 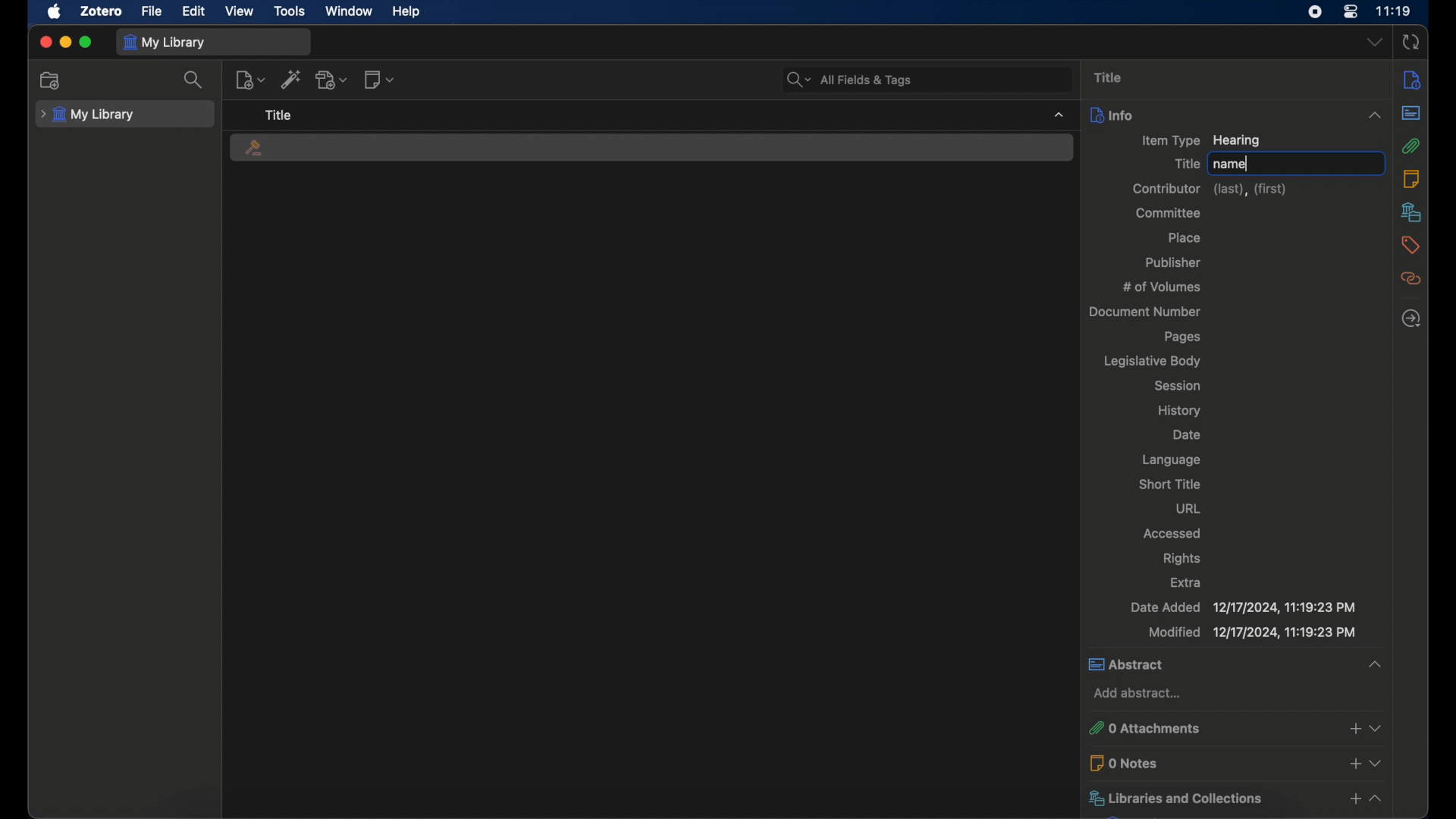 I want to click on session, so click(x=1178, y=385).